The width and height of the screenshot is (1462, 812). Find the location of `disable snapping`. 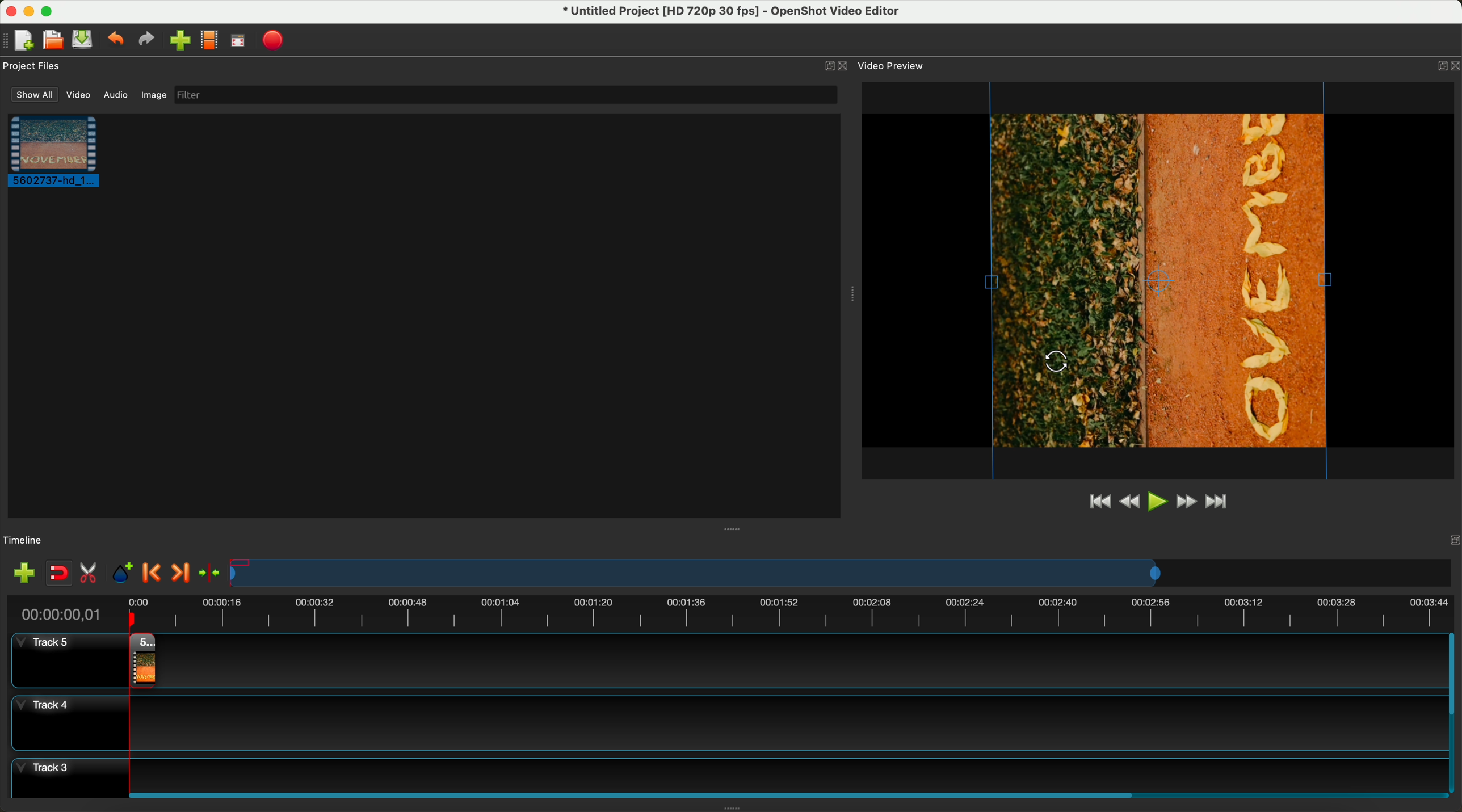

disable snapping is located at coordinates (60, 574).